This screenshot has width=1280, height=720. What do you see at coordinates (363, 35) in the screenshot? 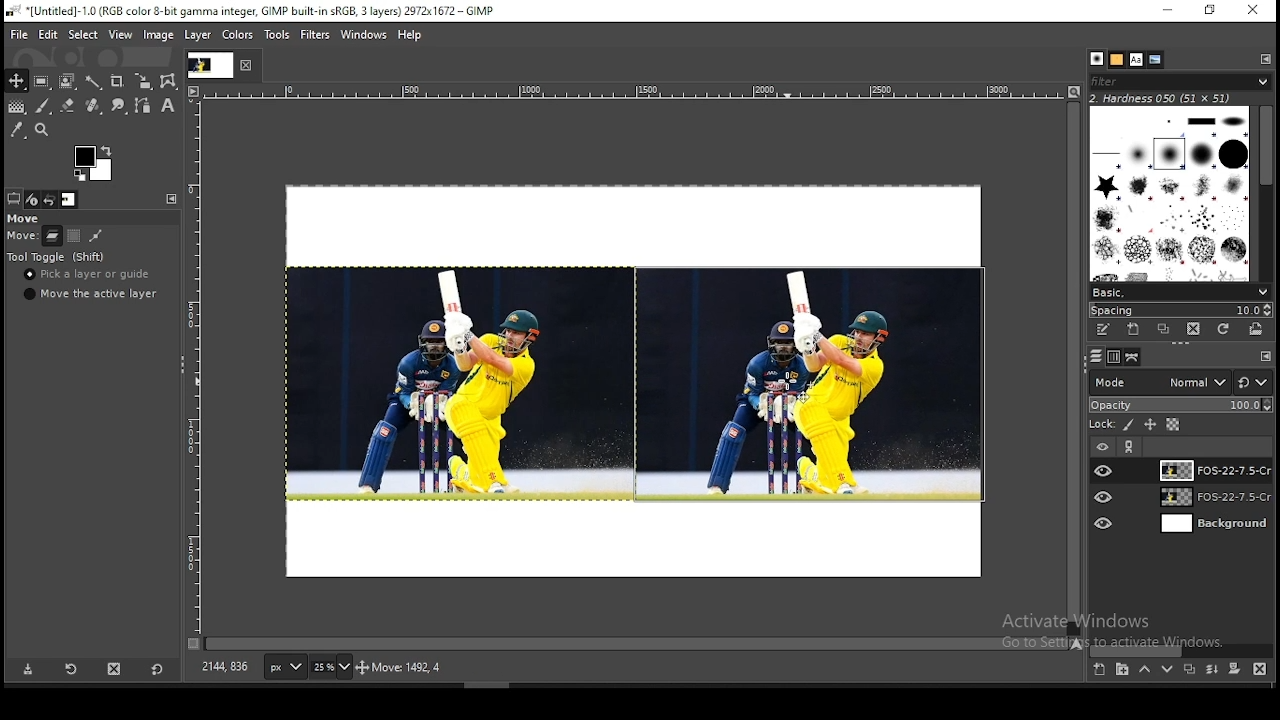
I see `windows` at bounding box center [363, 35].